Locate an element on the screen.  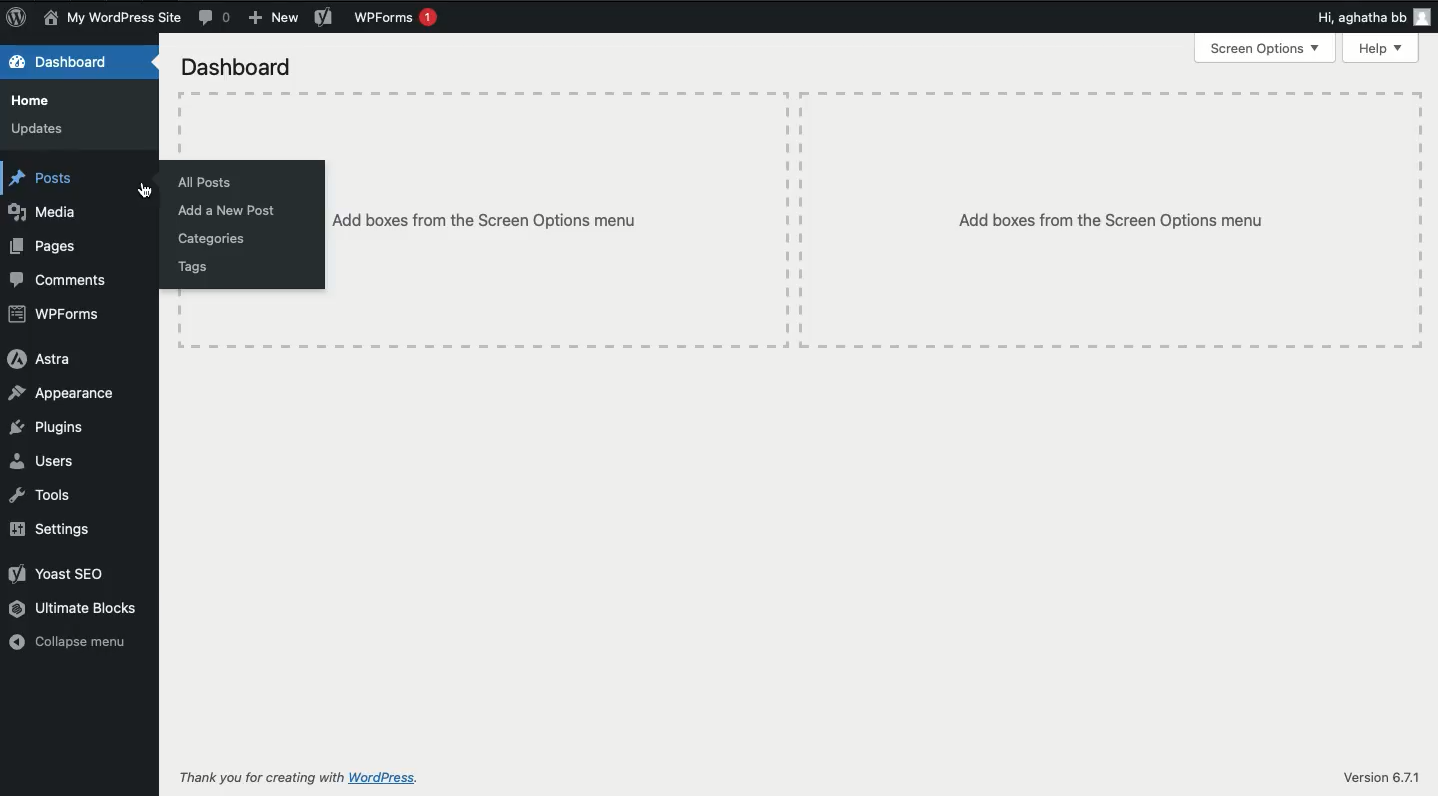
Settings is located at coordinates (51, 528).